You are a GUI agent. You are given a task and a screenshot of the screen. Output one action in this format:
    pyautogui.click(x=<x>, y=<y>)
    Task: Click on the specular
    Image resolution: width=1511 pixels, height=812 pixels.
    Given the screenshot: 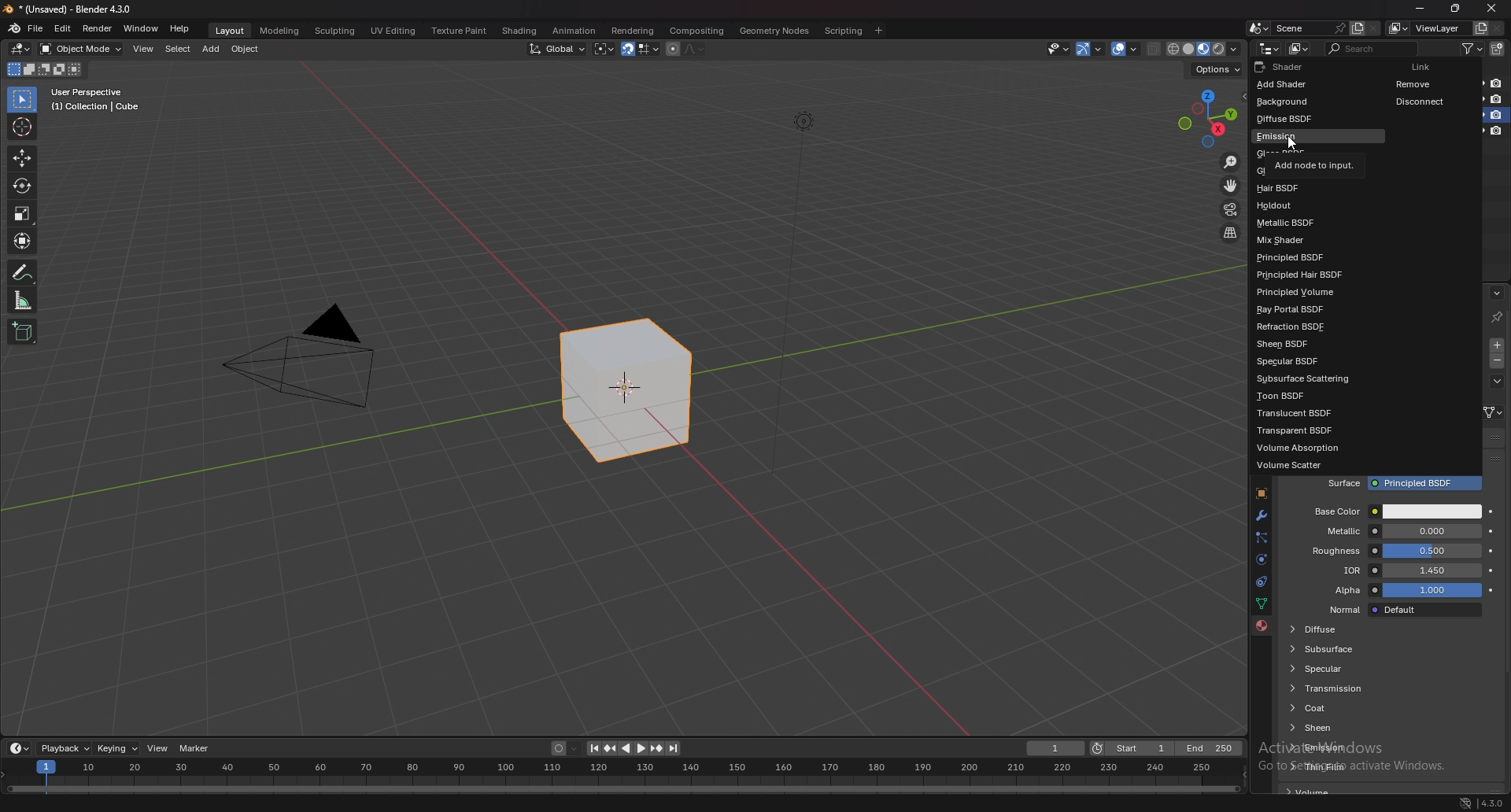 What is the action you would take?
    pyautogui.click(x=1337, y=668)
    